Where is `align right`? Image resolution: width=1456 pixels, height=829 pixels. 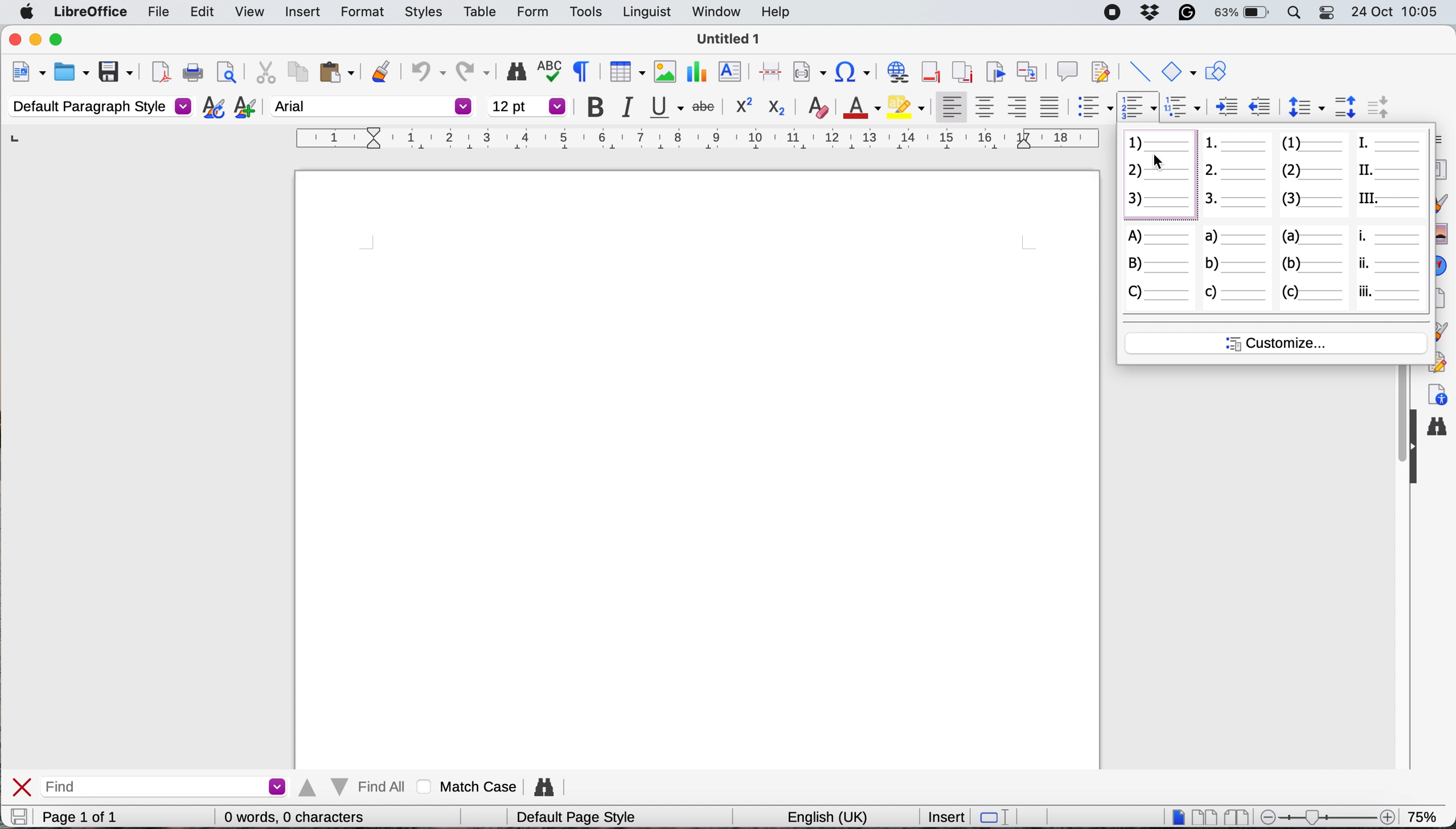 align right is located at coordinates (1019, 107).